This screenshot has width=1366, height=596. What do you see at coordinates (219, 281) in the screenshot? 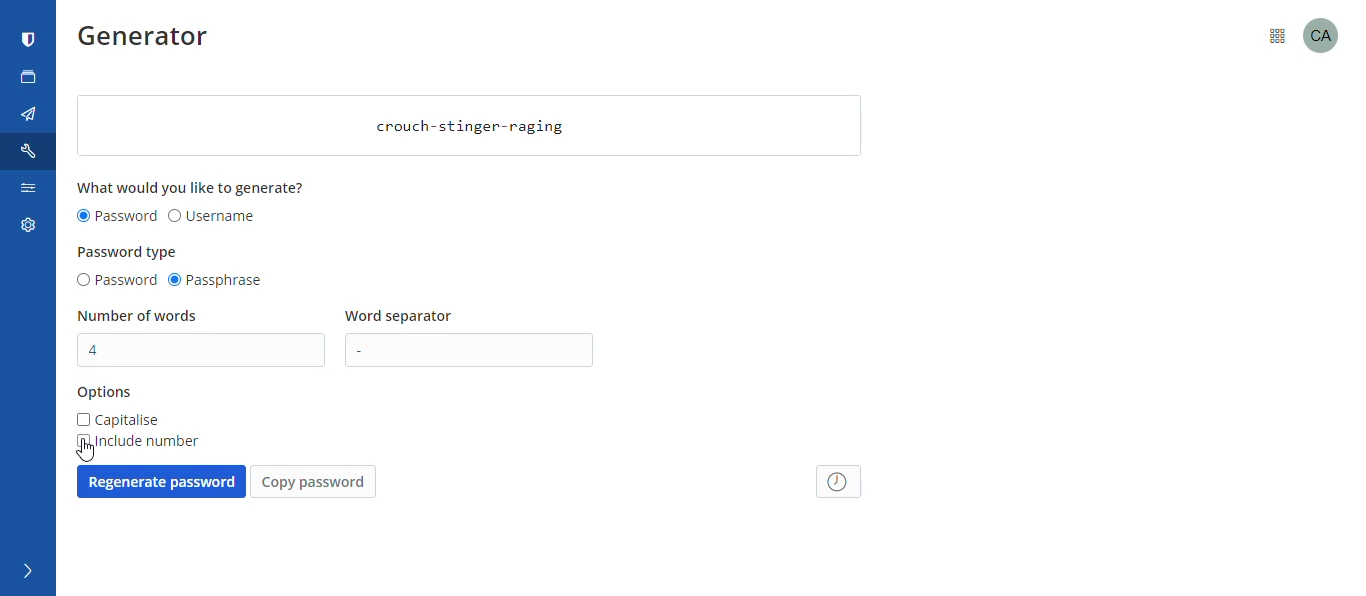
I see `passphrase radio button` at bounding box center [219, 281].